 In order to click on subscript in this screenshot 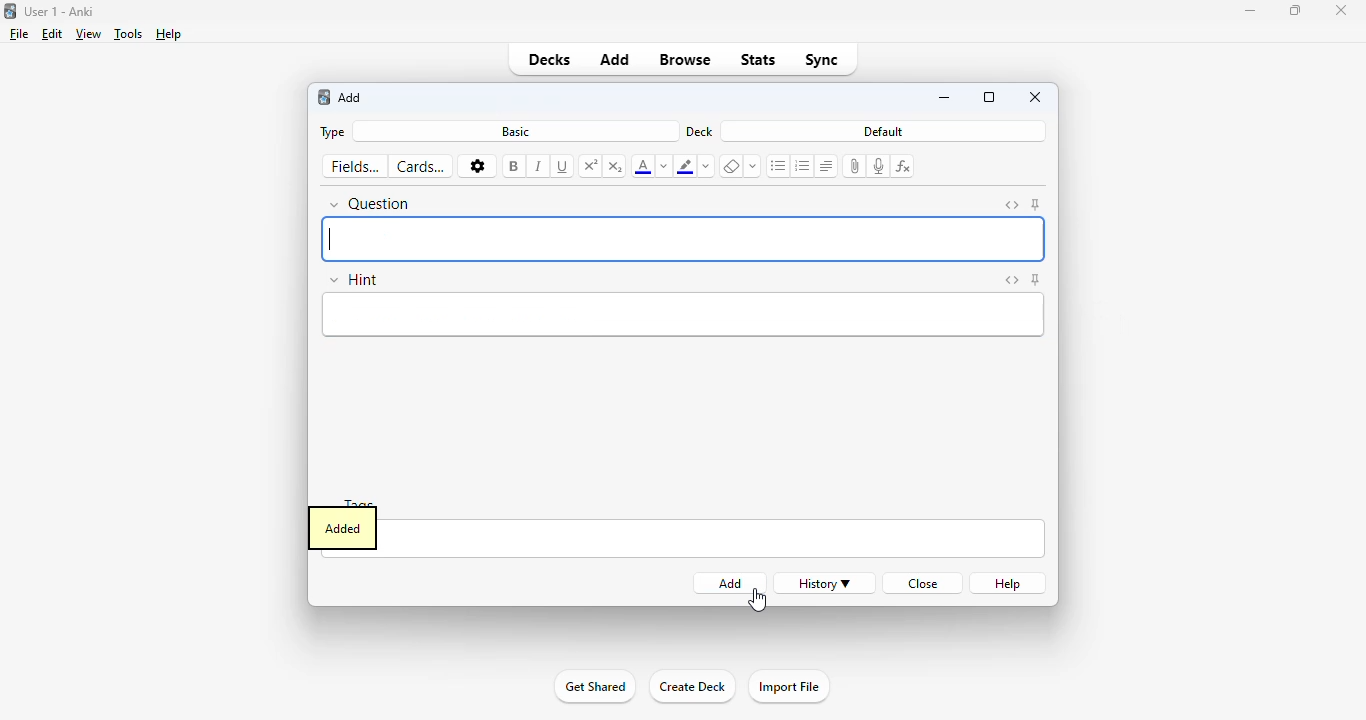, I will do `click(616, 168)`.